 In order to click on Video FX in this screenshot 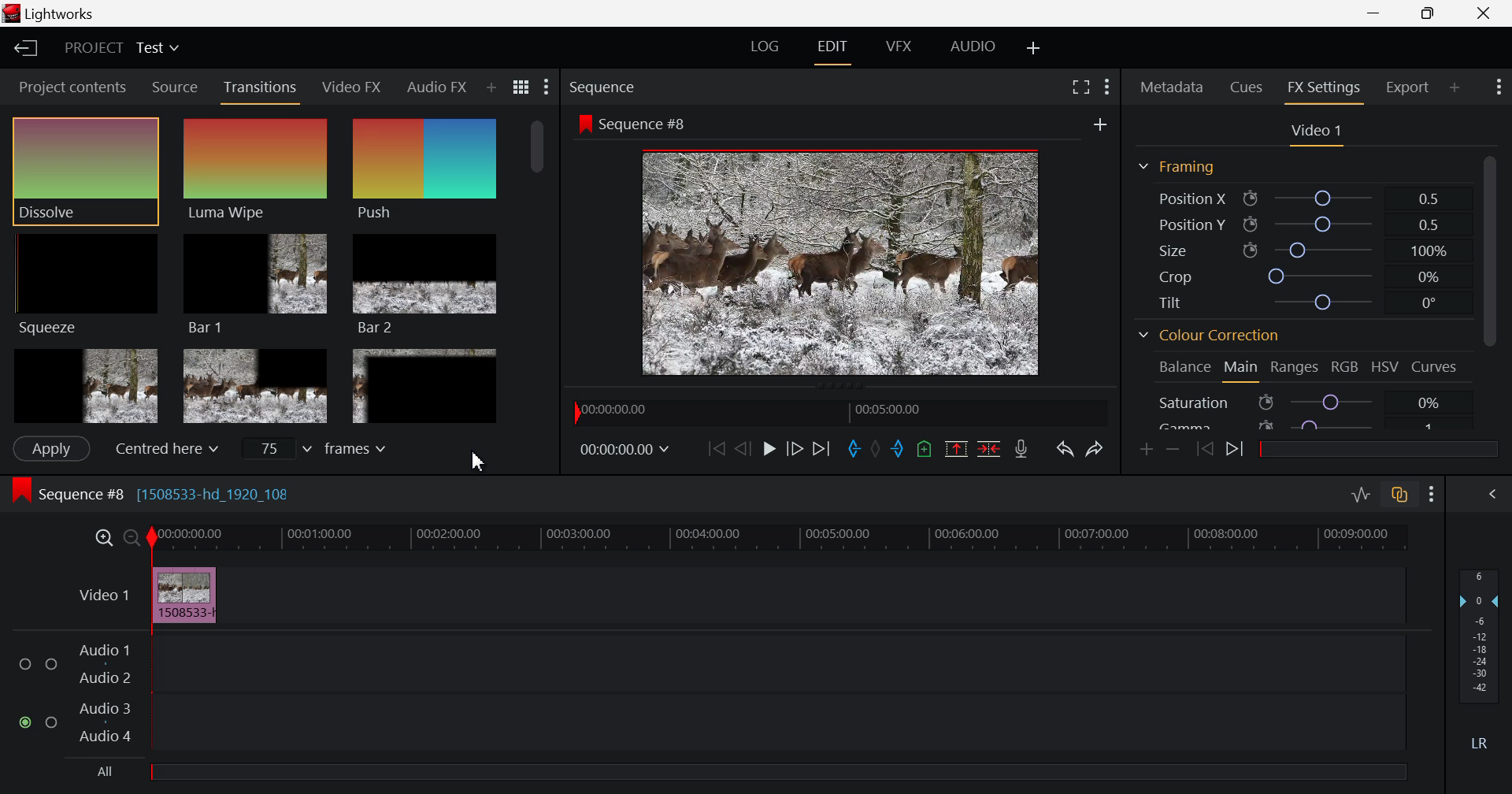, I will do `click(351, 89)`.